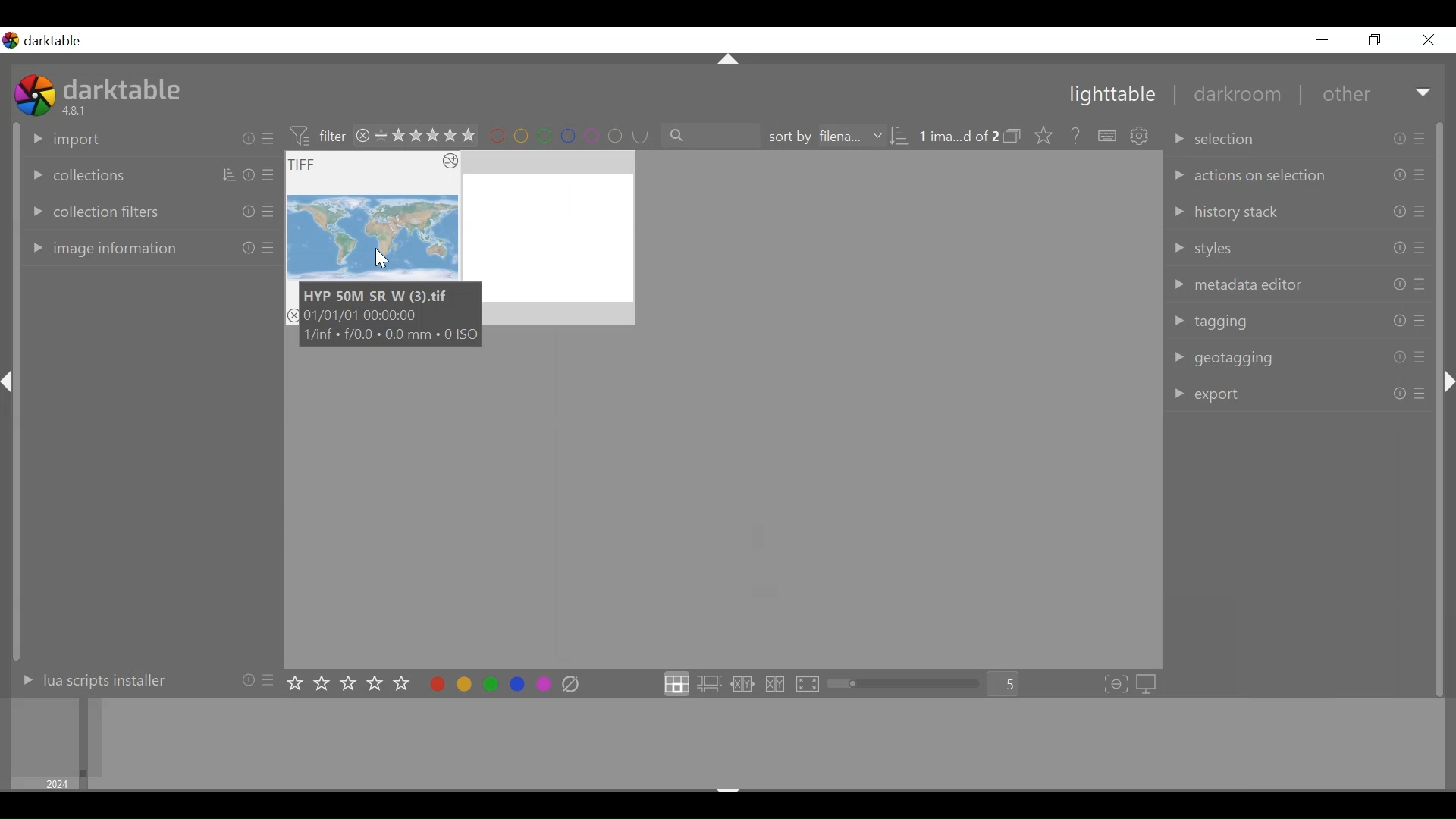  I want to click on Zoom factor, so click(1007, 685).